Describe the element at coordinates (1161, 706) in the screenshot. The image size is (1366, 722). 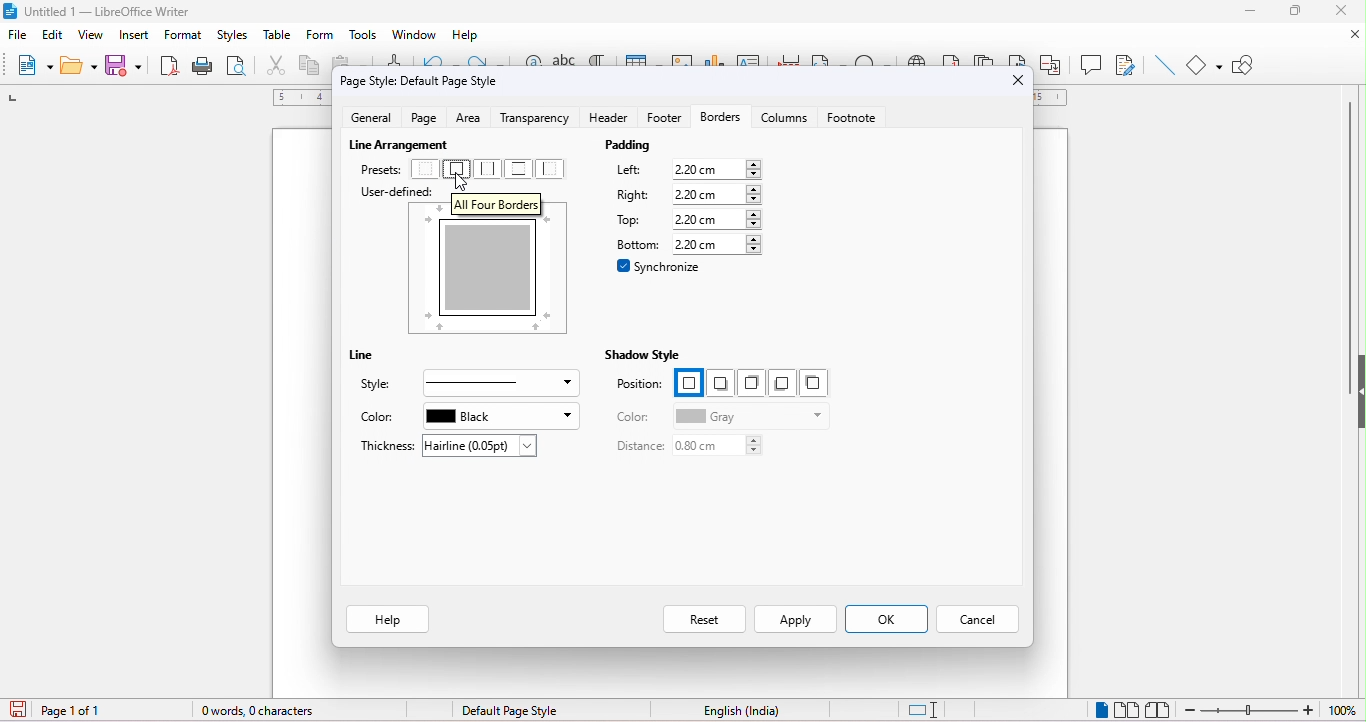
I see `book view` at that location.